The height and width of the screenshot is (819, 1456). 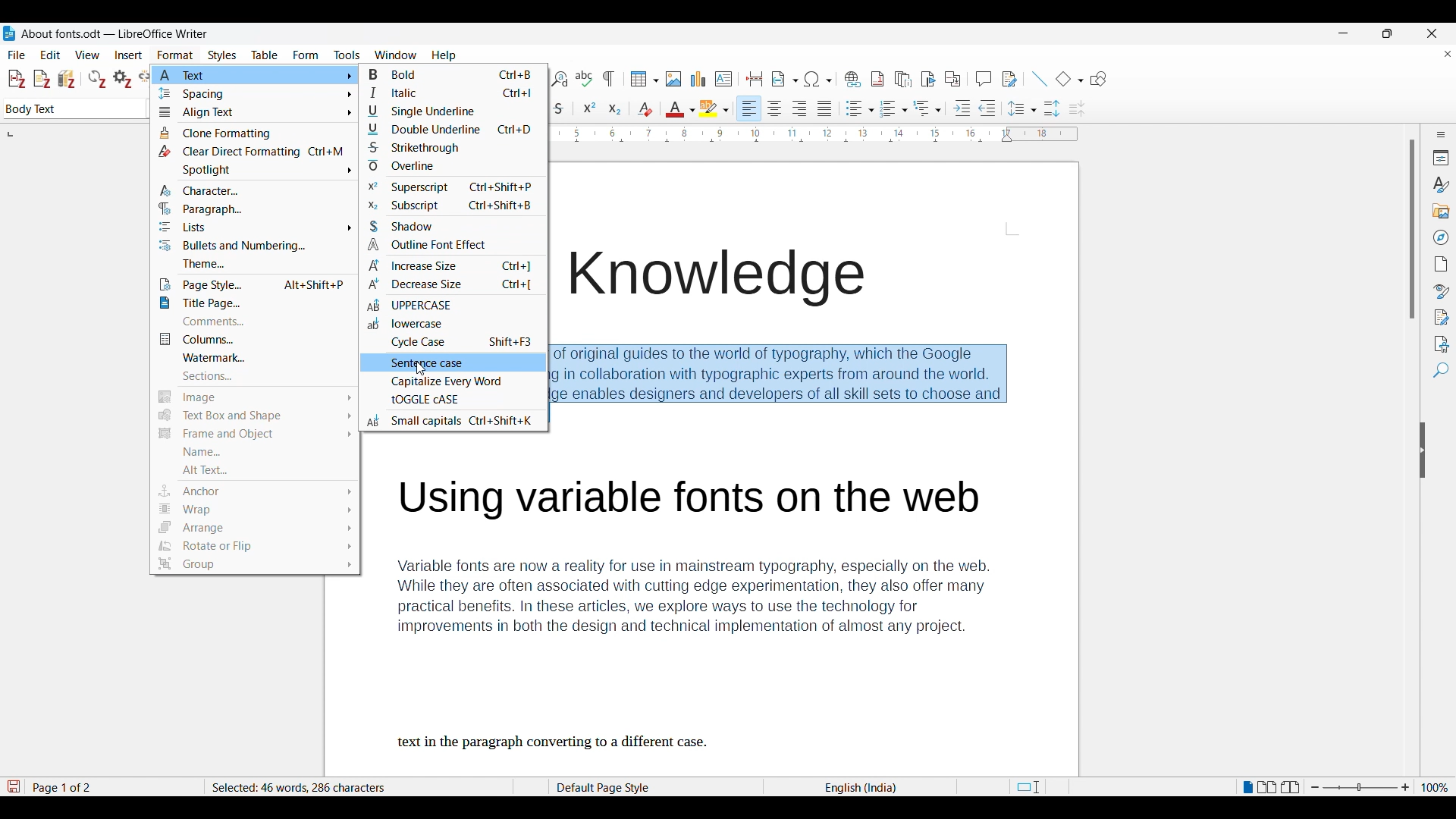 What do you see at coordinates (256, 76) in the screenshot?
I see `text ` at bounding box center [256, 76].